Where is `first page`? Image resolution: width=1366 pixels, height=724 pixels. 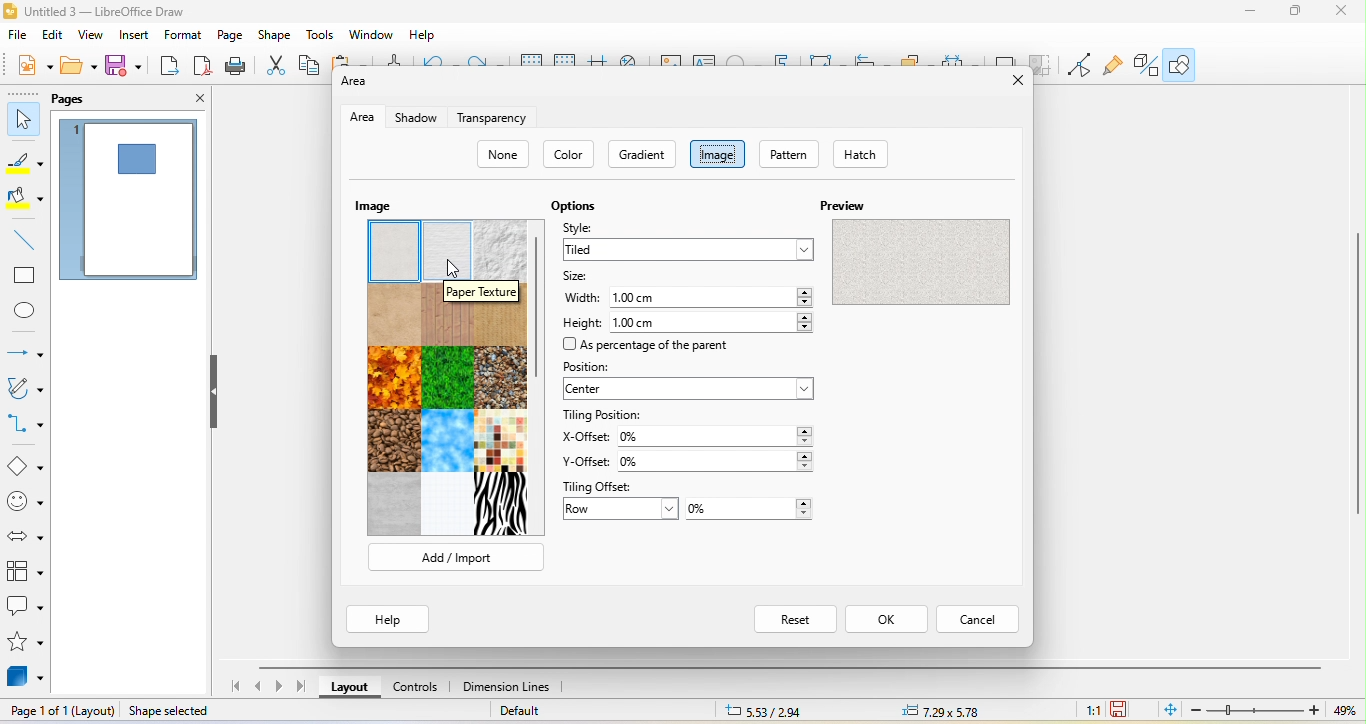
first page is located at coordinates (230, 685).